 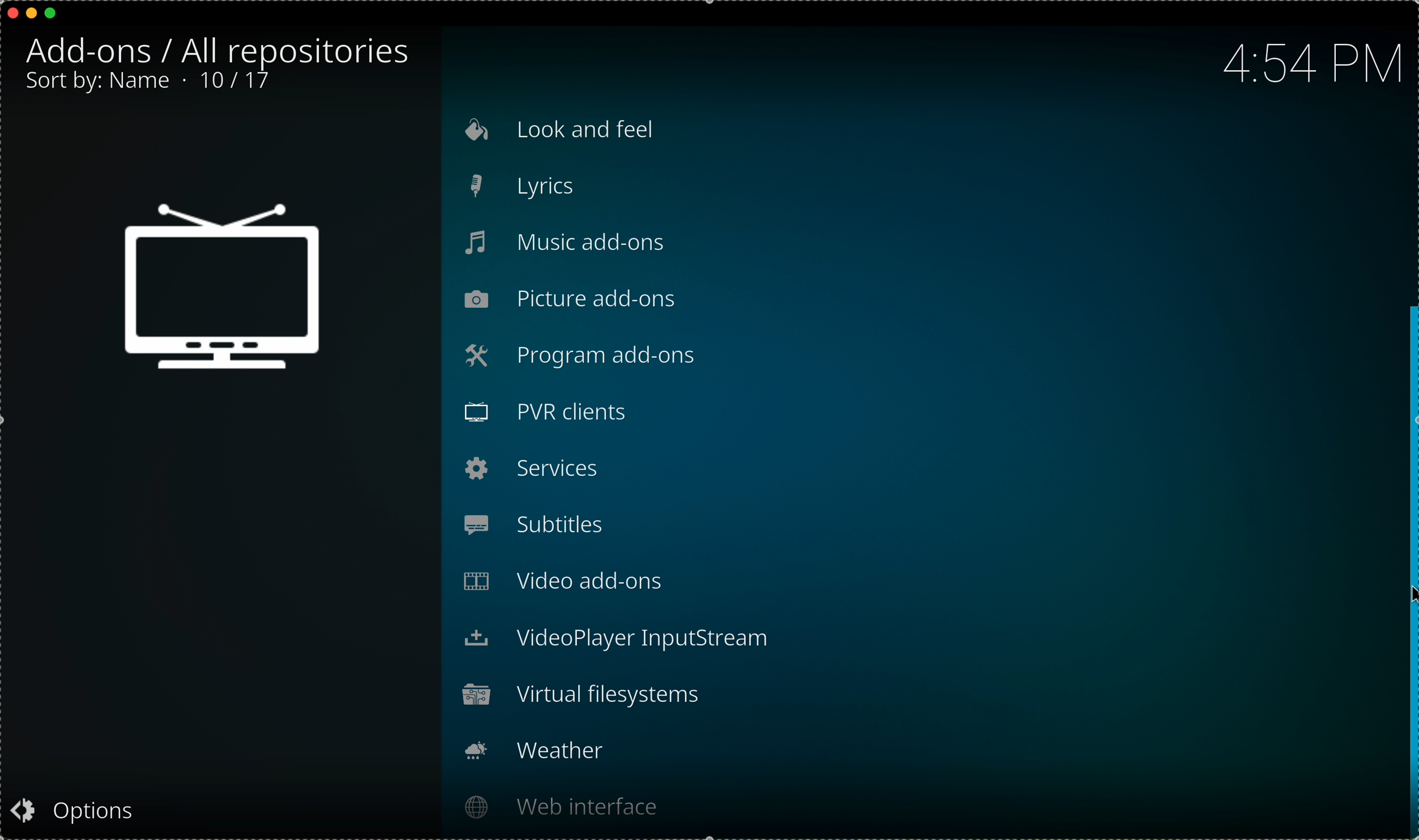 What do you see at coordinates (99, 83) in the screenshot?
I see `sort by: name` at bounding box center [99, 83].